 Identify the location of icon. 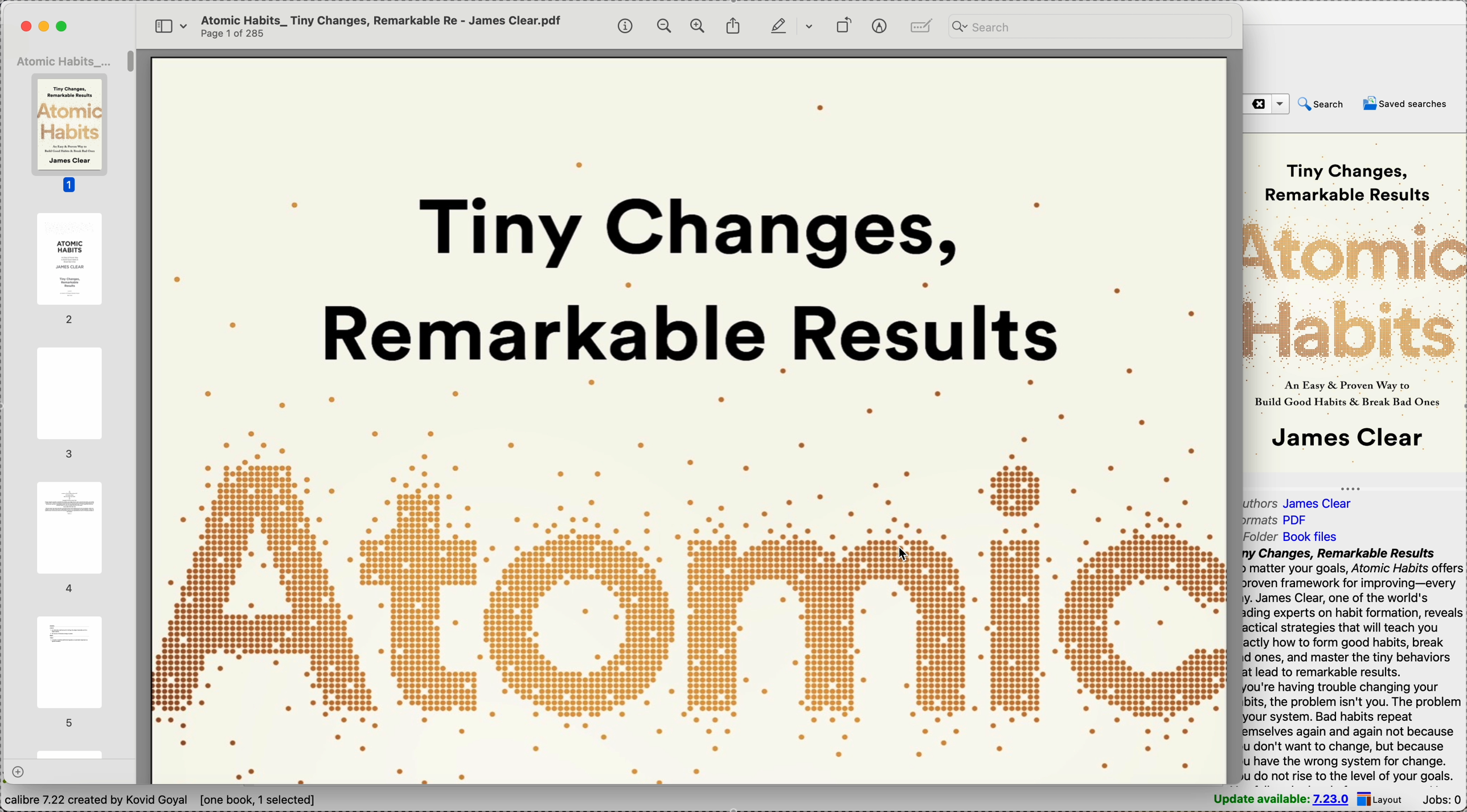
(921, 26).